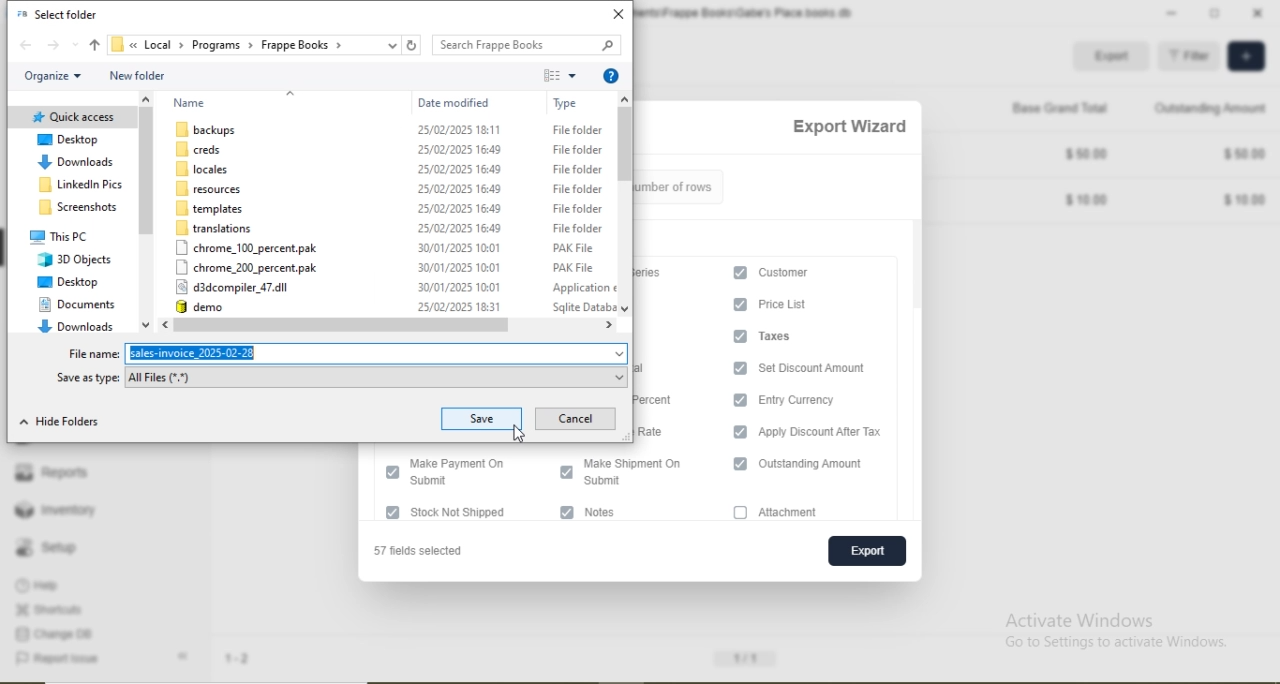  What do you see at coordinates (62, 235) in the screenshot?
I see `Thic PC` at bounding box center [62, 235].